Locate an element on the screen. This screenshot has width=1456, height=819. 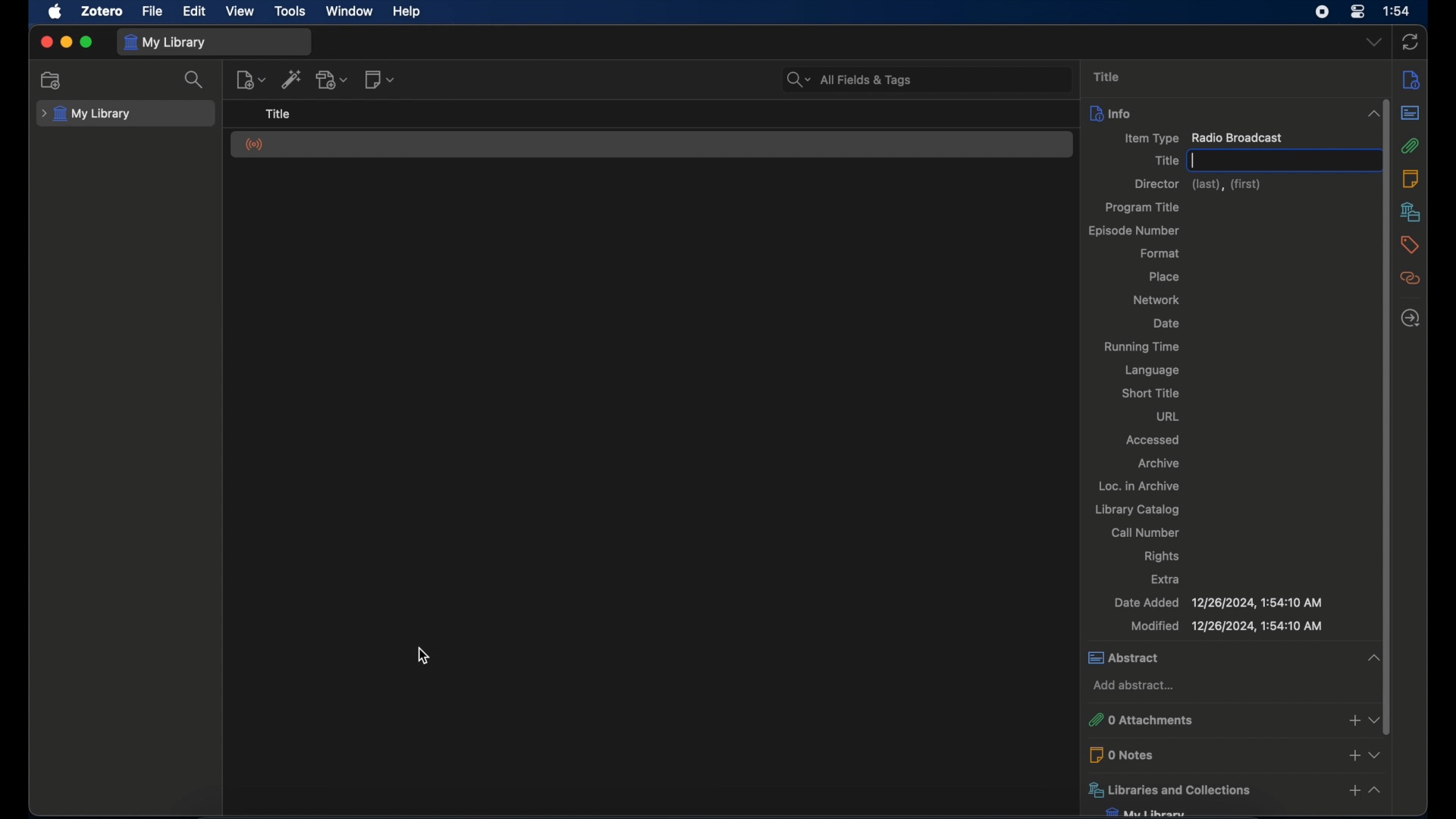
cursor is located at coordinates (425, 655).